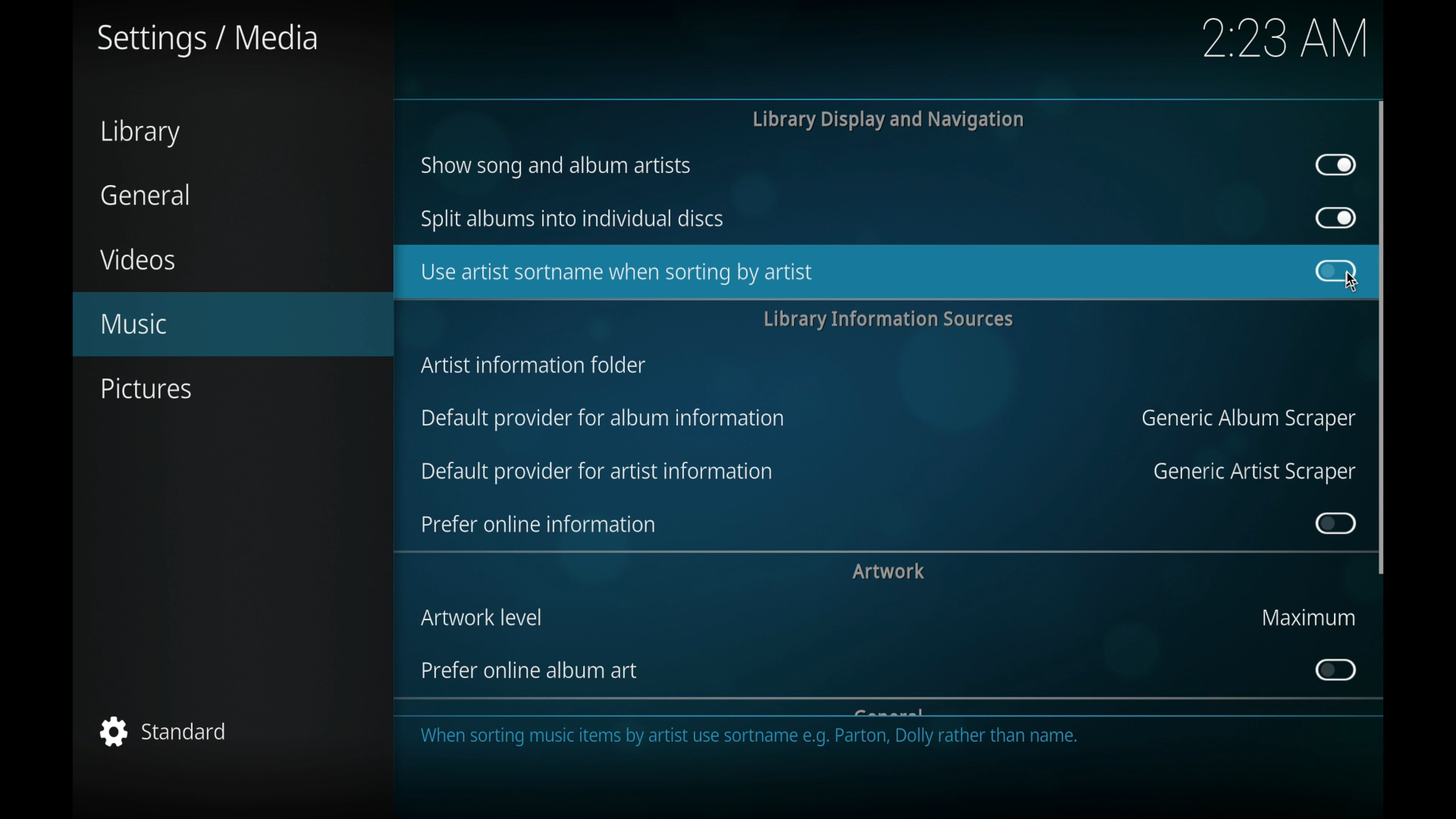  I want to click on toggle button, so click(1334, 670).